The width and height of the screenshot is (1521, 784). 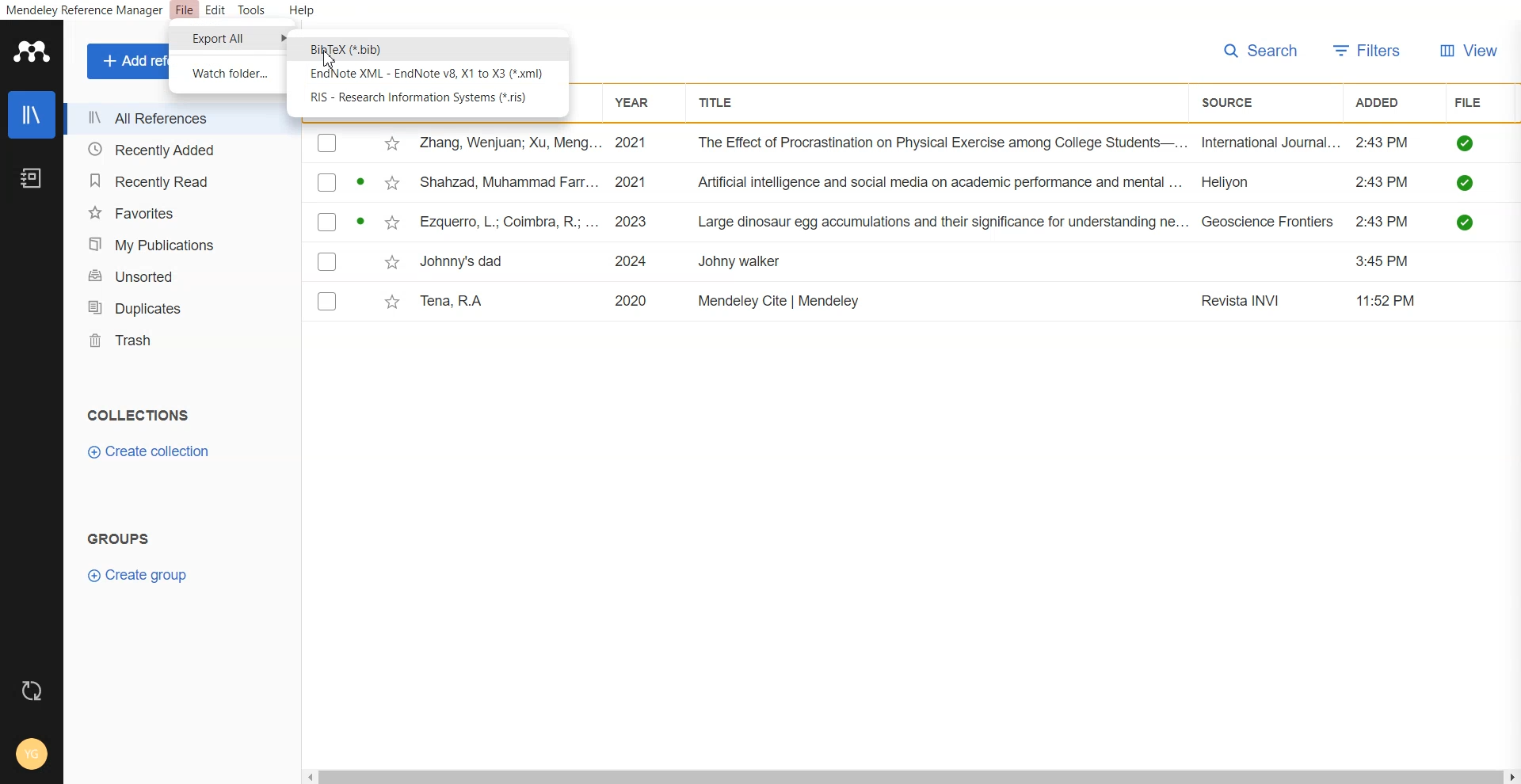 What do you see at coordinates (1388, 300) in the screenshot?
I see `11:52 PM` at bounding box center [1388, 300].